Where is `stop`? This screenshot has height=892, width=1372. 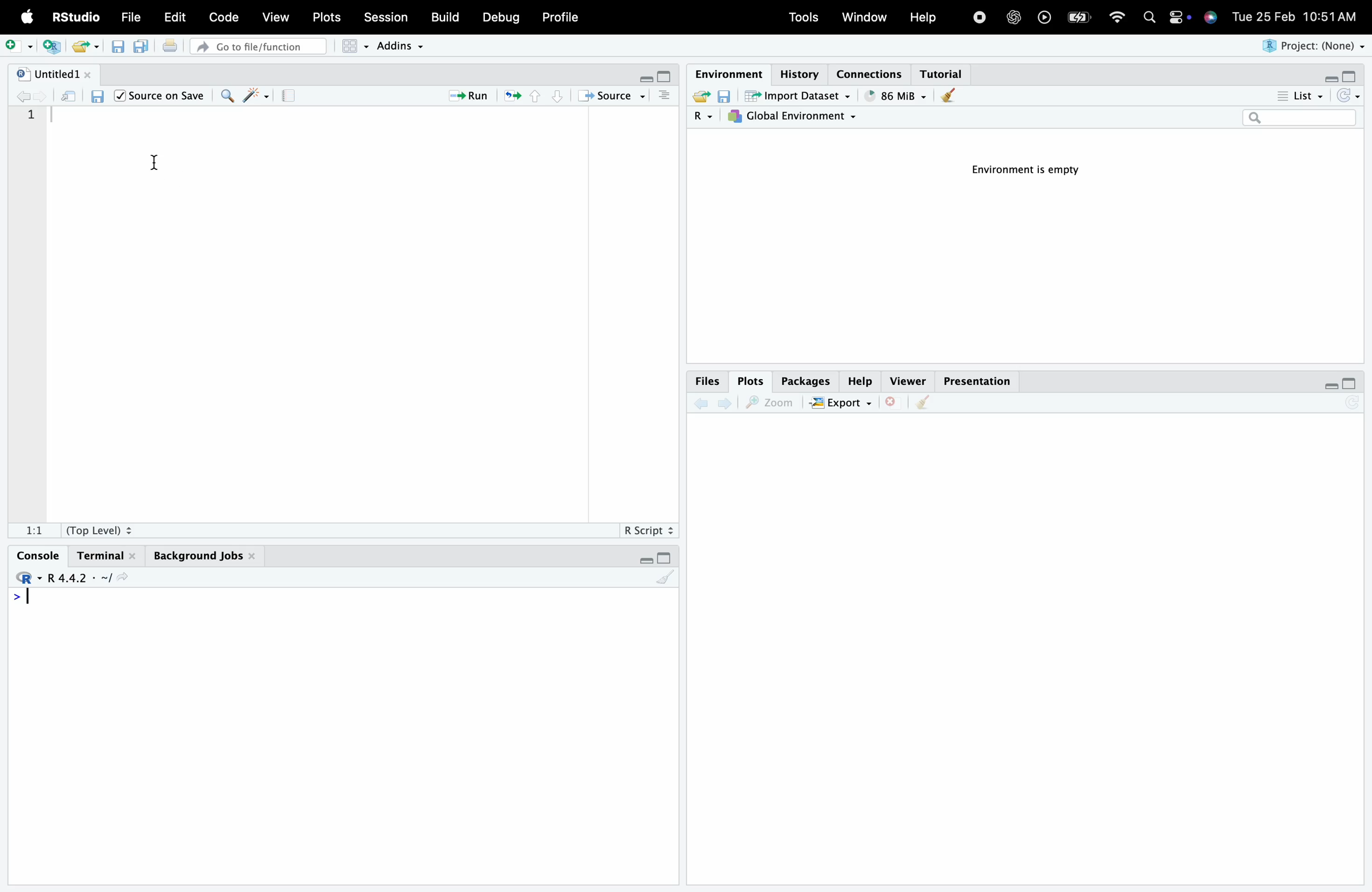 stop is located at coordinates (979, 16).